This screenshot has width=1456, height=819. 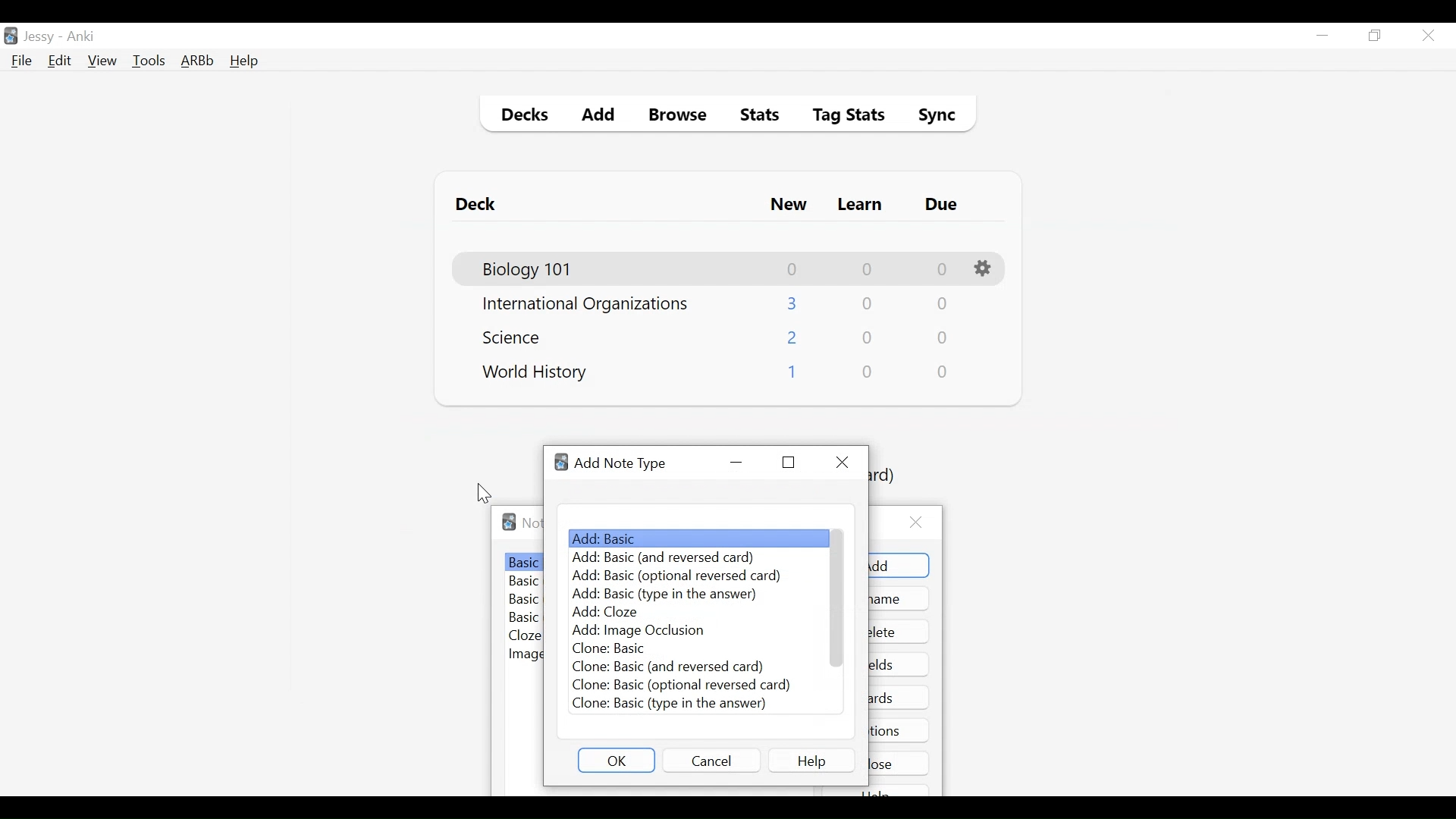 I want to click on Cards, so click(x=902, y=697).